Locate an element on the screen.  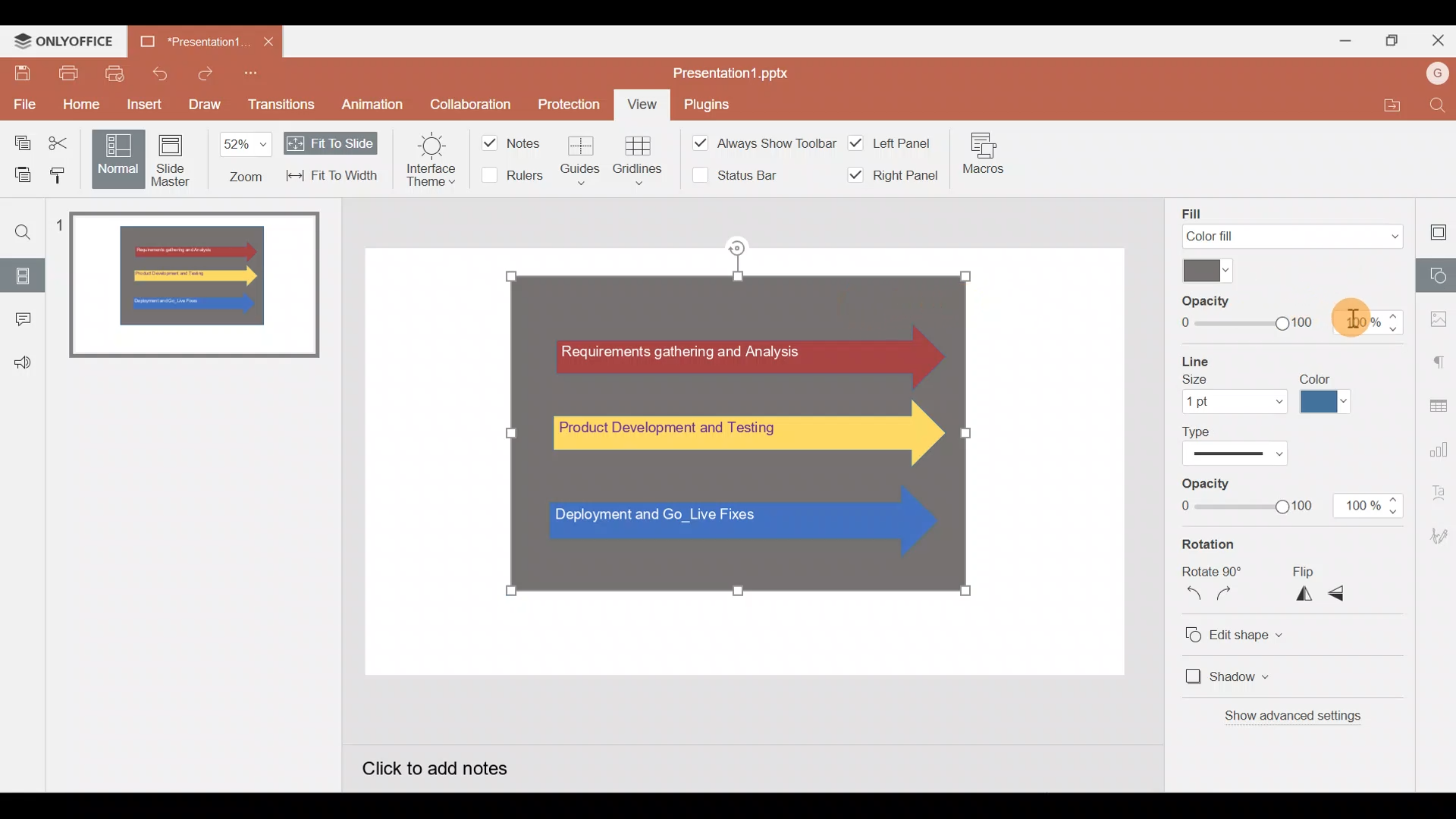
Rotate clockwise is located at coordinates (1228, 597).